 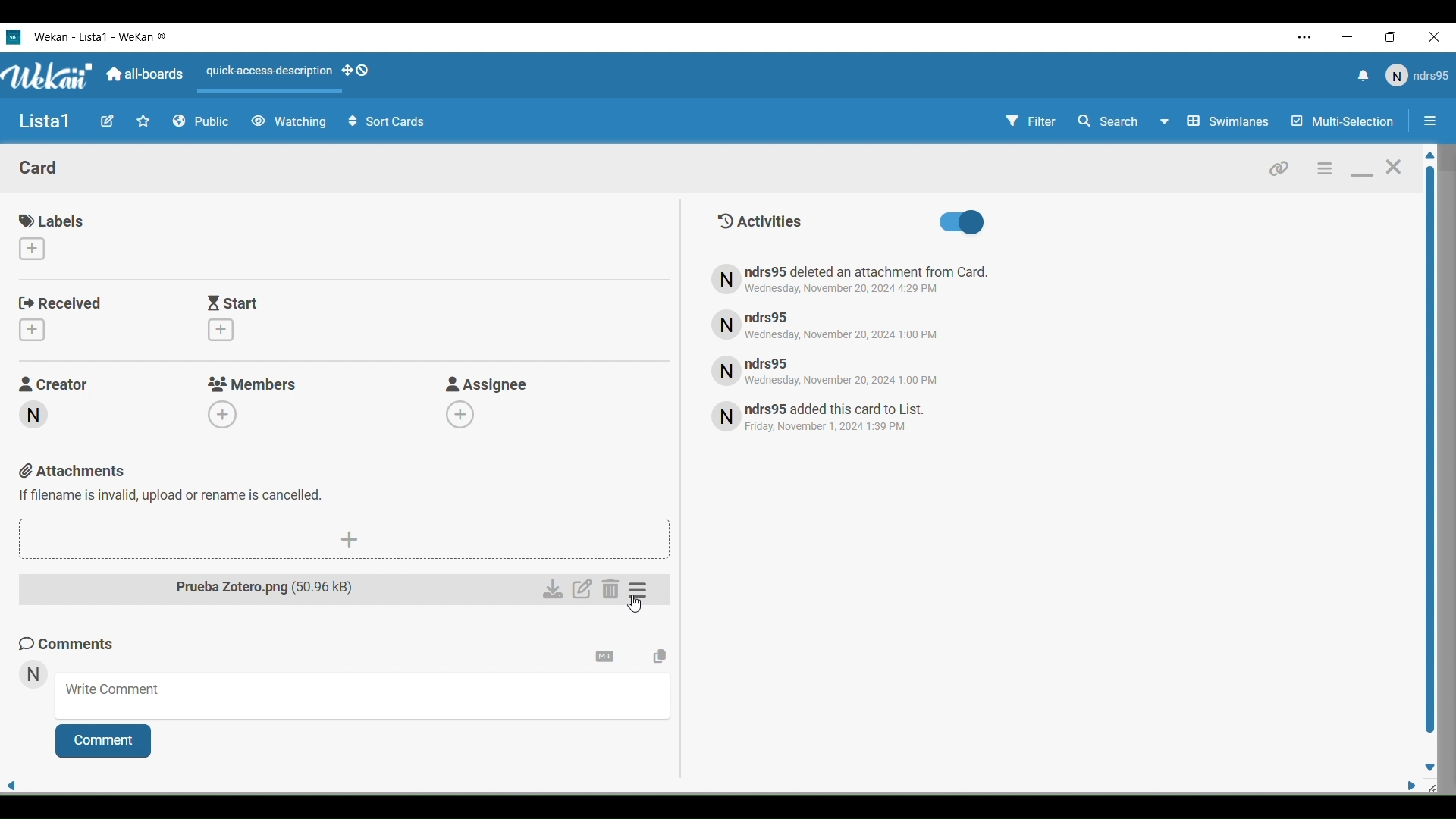 I want to click on Attachments, so click(x=173, y=482).